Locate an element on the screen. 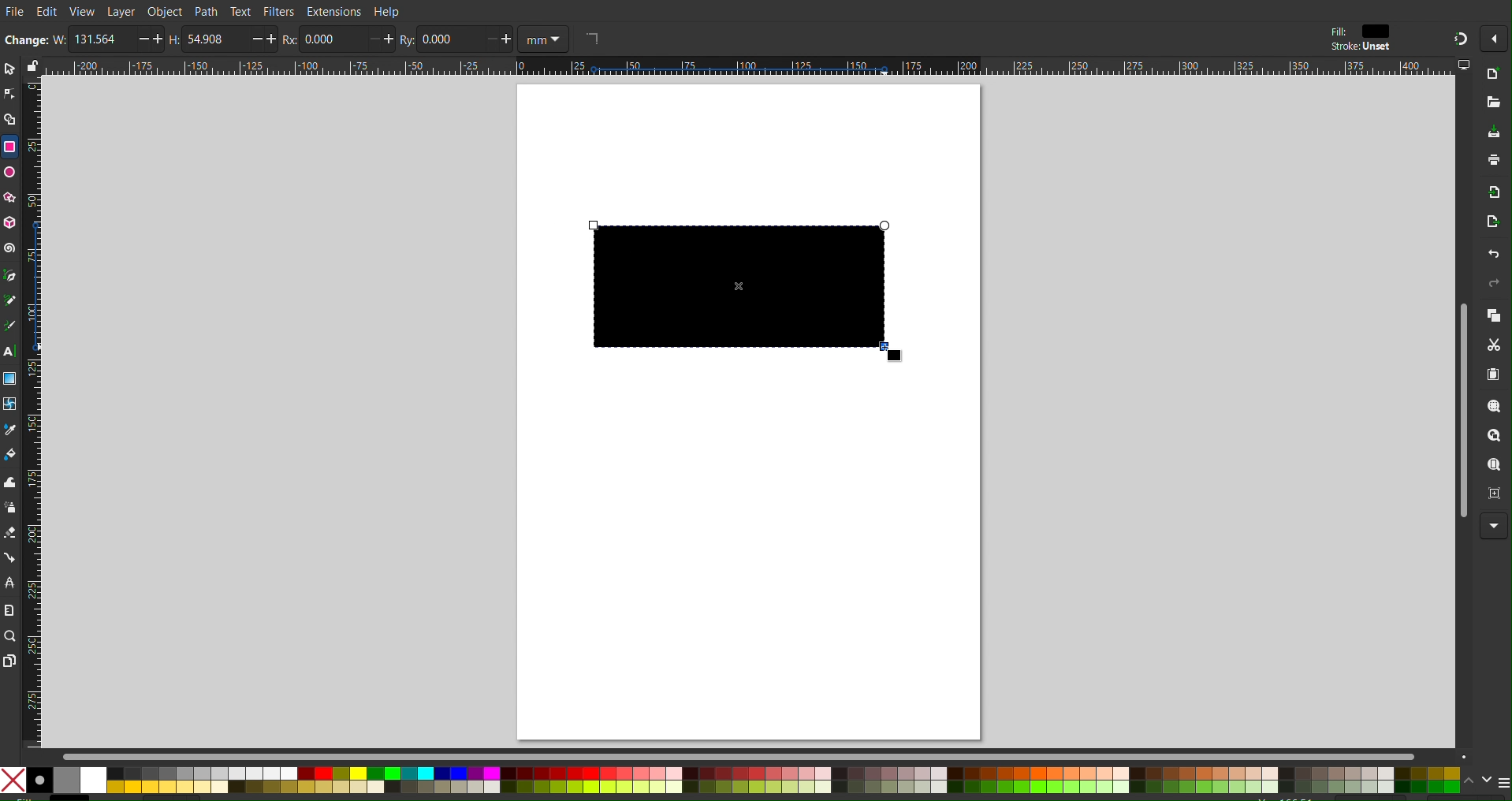  increase/decrease is located at coordinates (501, 39).